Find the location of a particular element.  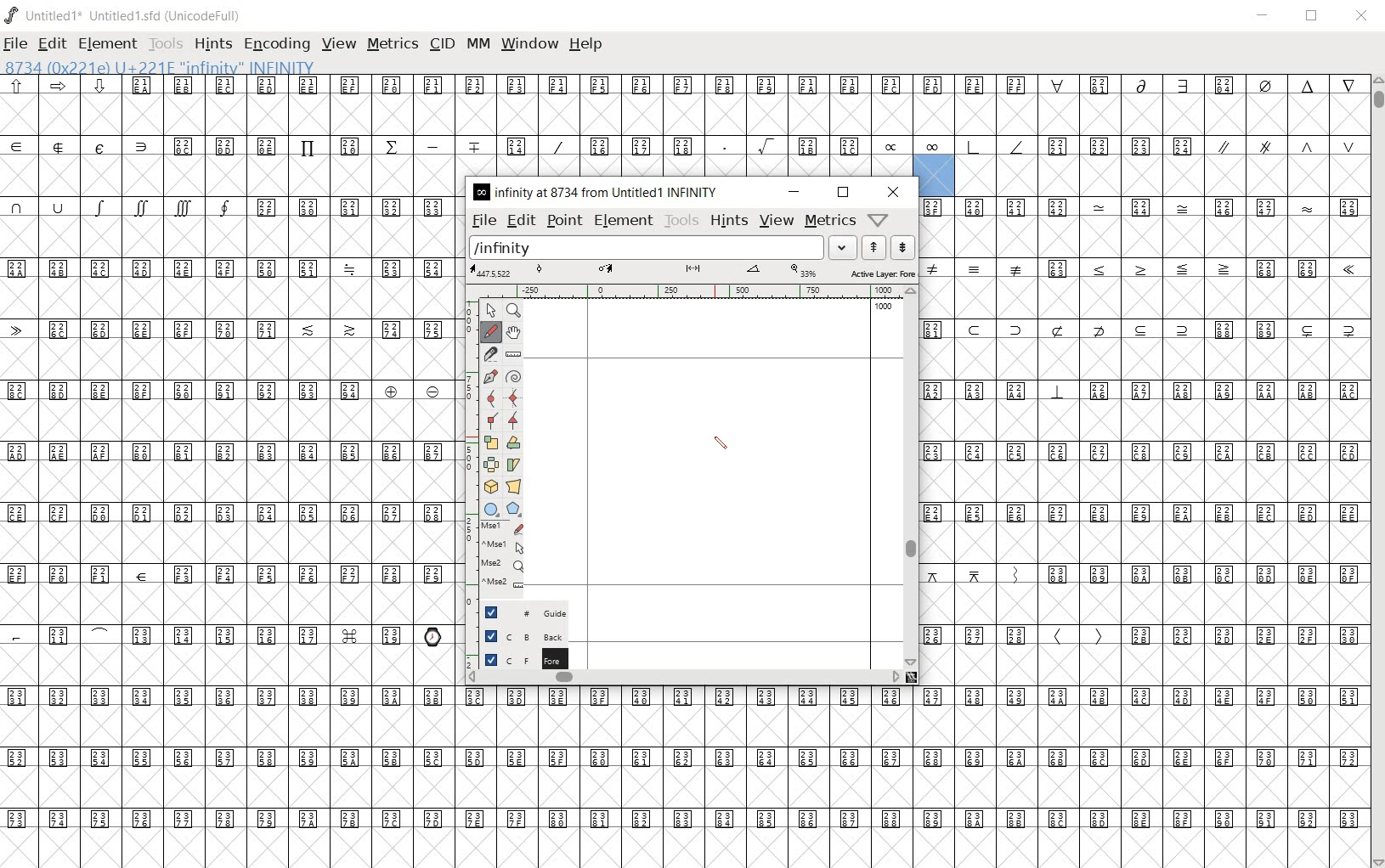

empty glyph slot is located at coordinates (1144, 604).